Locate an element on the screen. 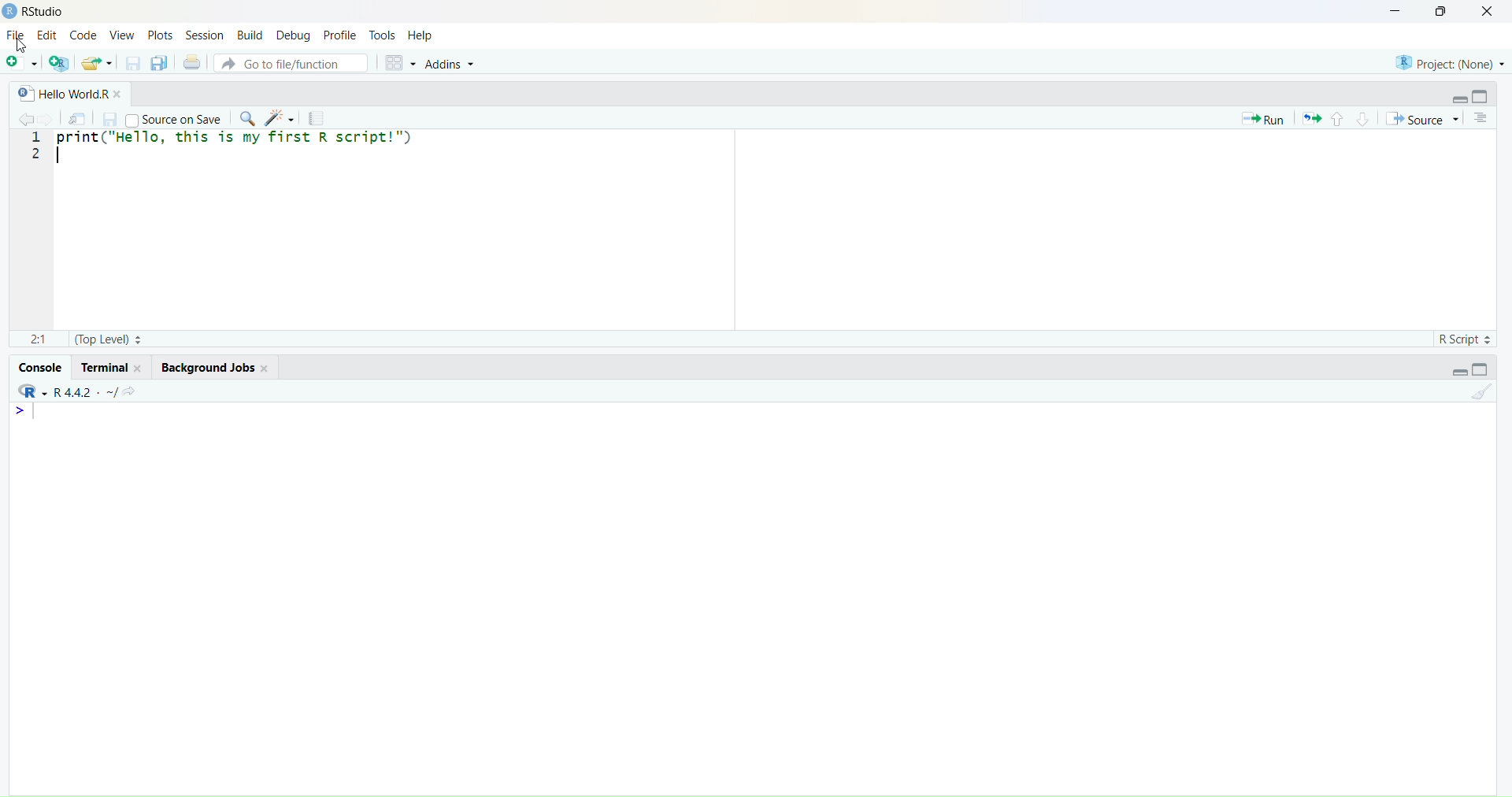  Save current document (Ctrl + S) is located at coordinates (110, 119).